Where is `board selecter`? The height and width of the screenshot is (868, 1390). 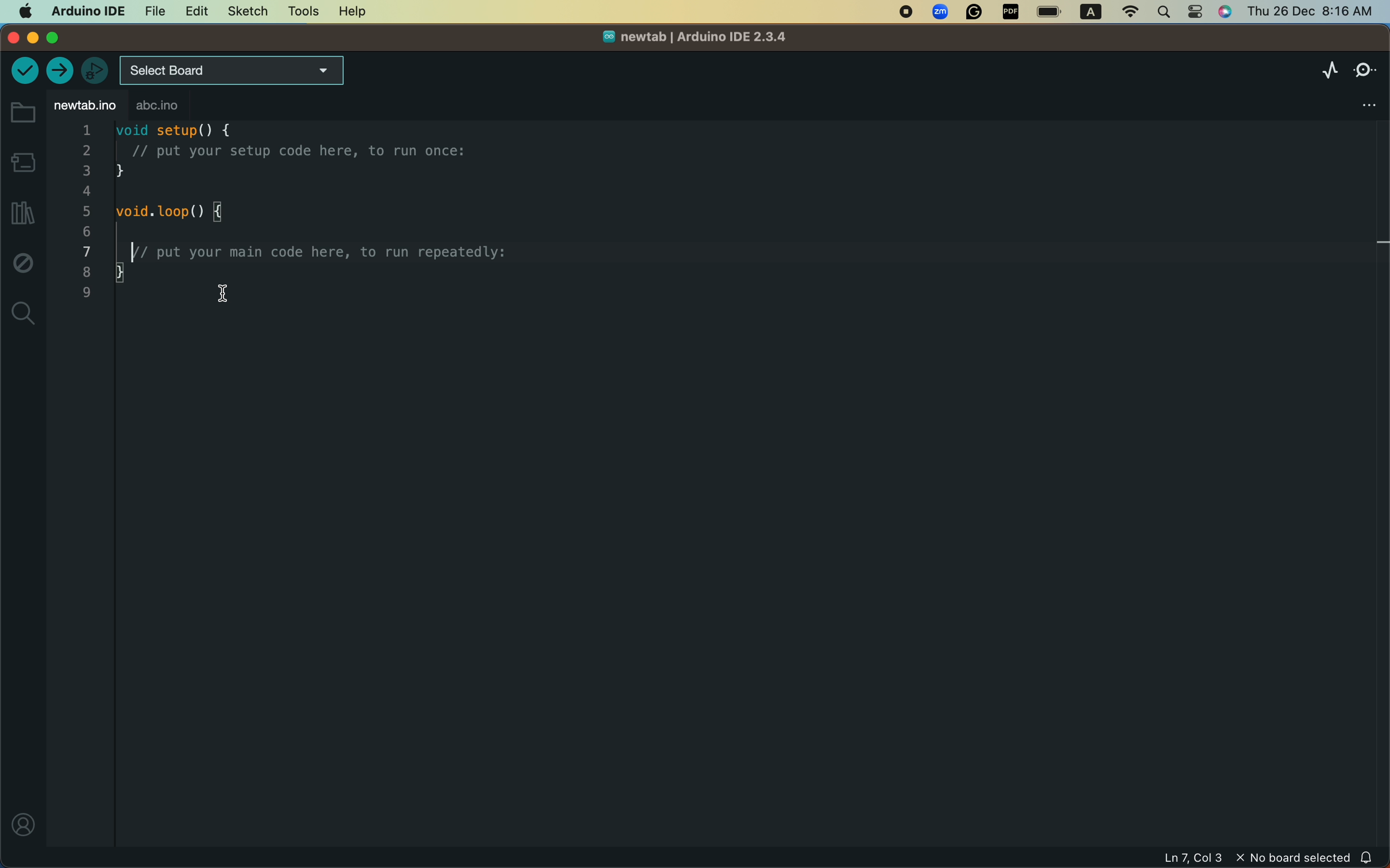 board selecter is located at coordinates (234, 71).